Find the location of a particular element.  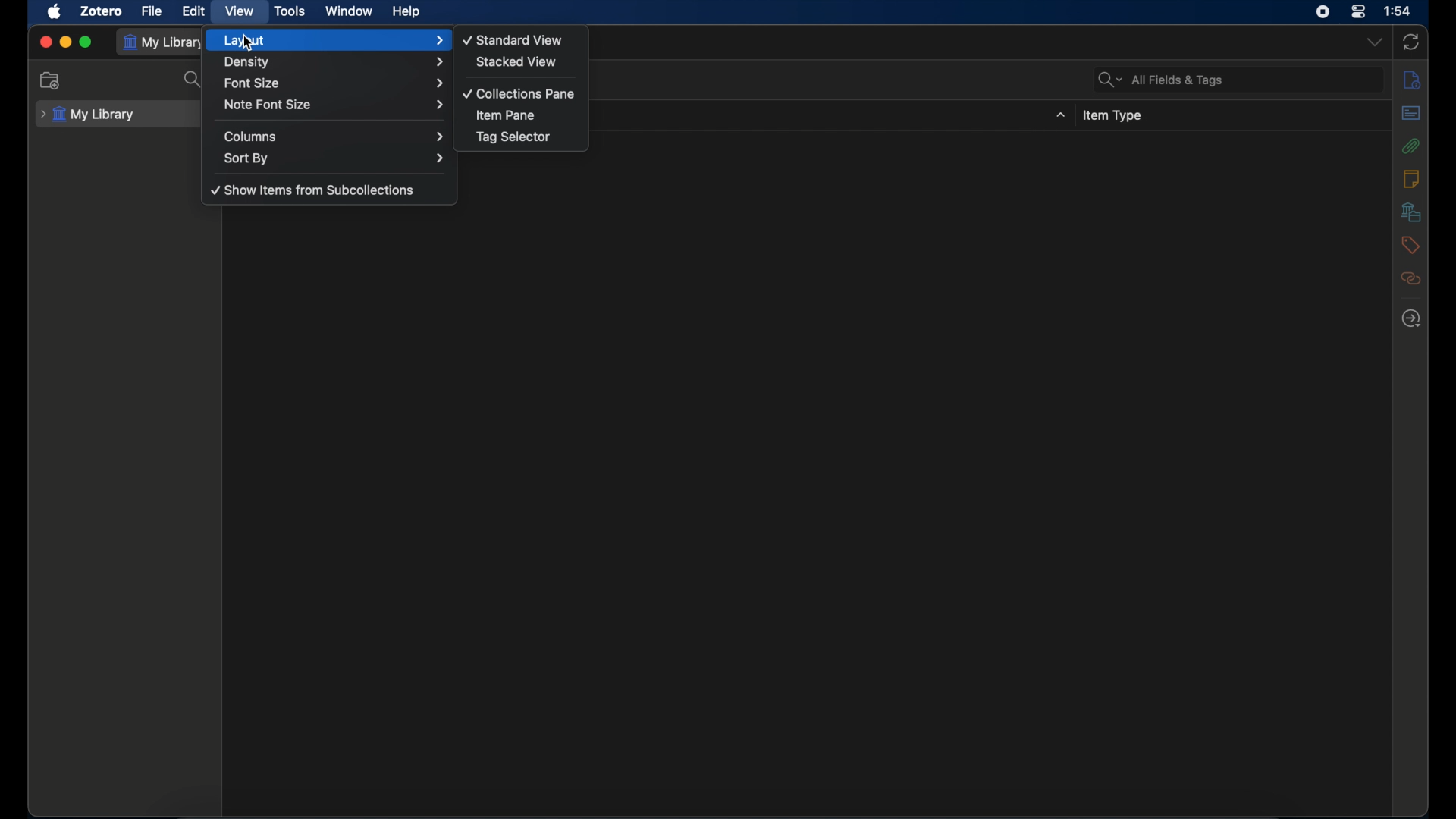

libraries is located at coordinates (1410, 212).